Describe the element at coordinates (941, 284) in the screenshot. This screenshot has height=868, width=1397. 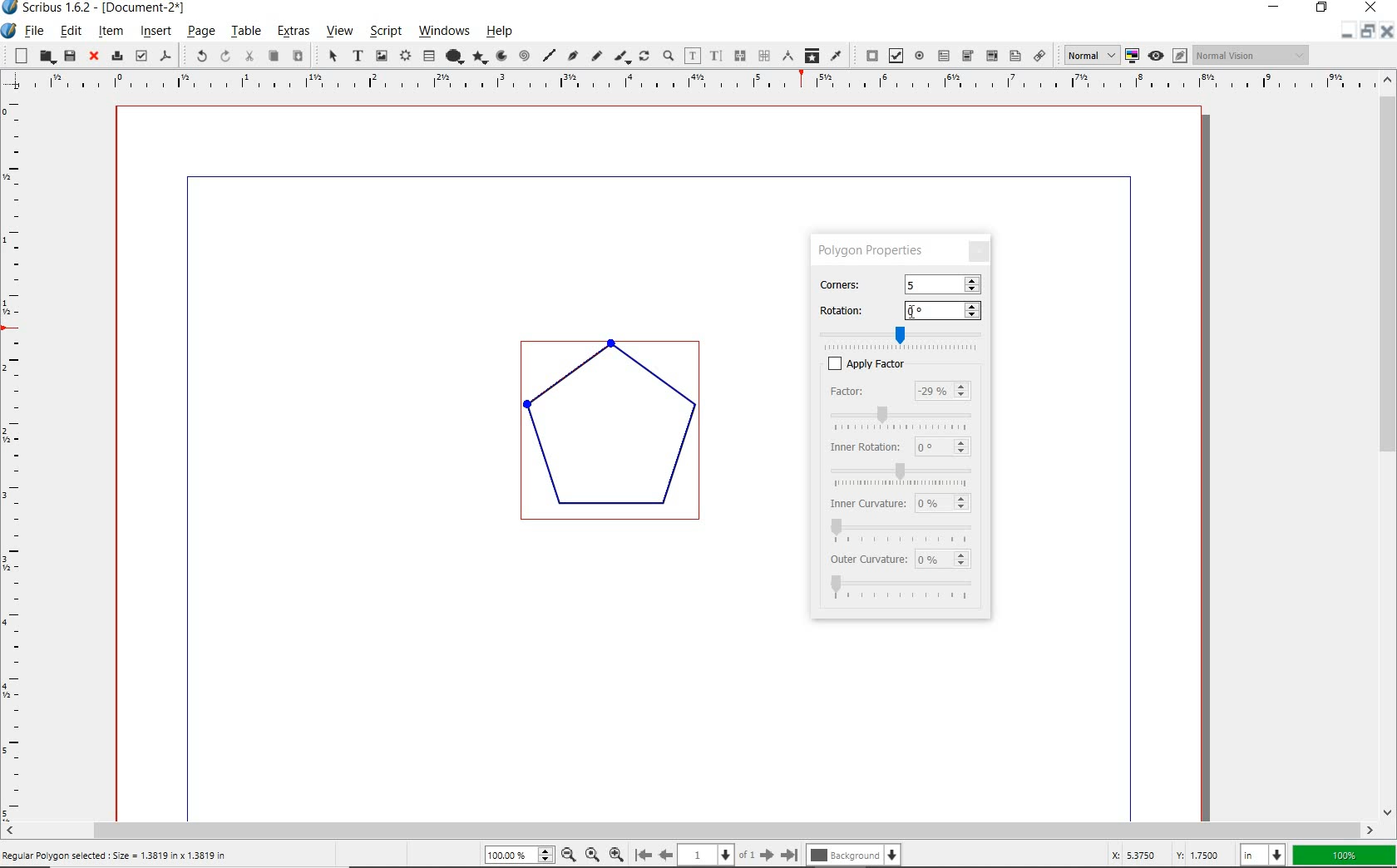
I see `Input corners` at that location.